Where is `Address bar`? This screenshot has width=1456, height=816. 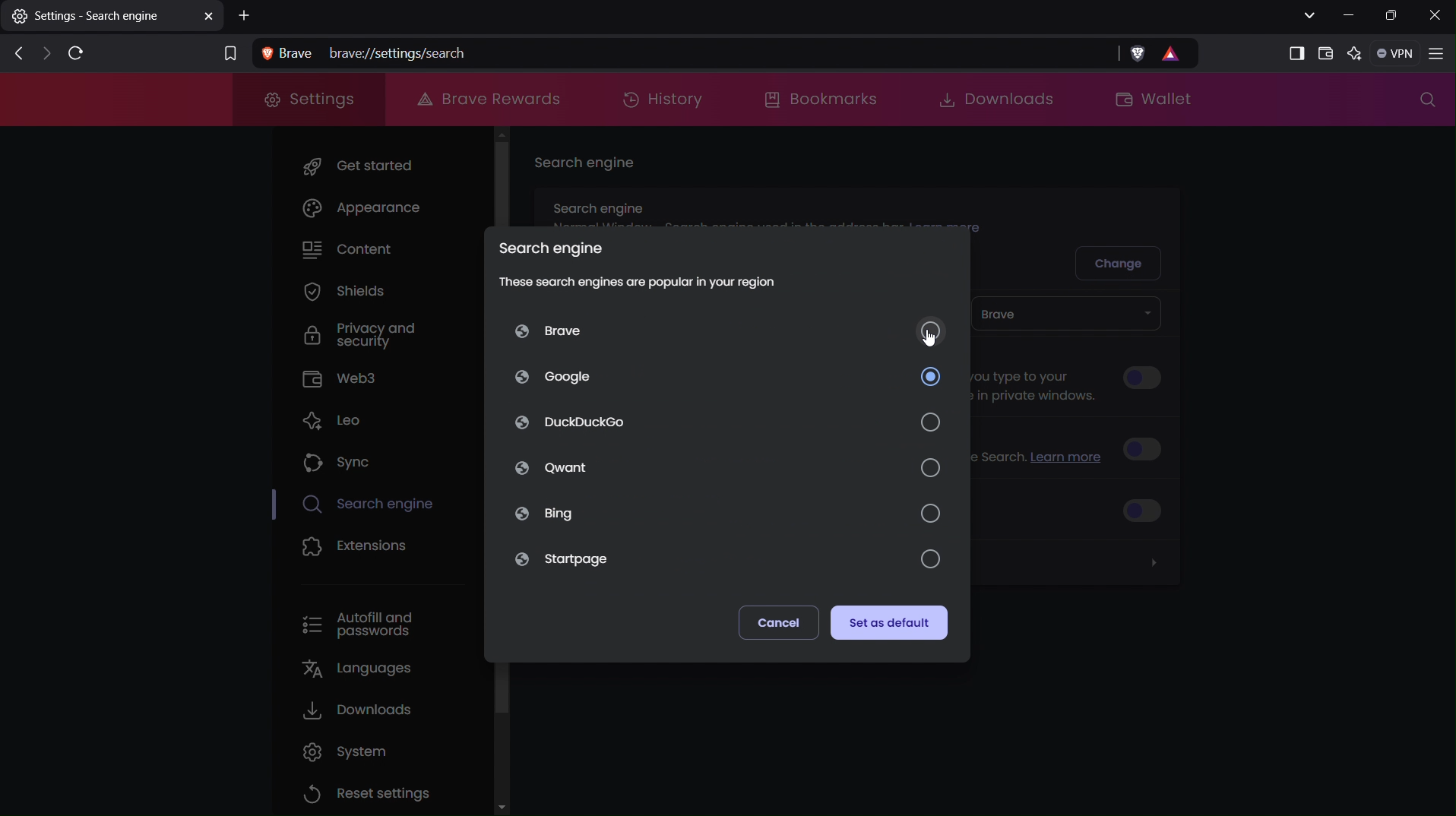
Address bar is located at coordinates (679, 53).